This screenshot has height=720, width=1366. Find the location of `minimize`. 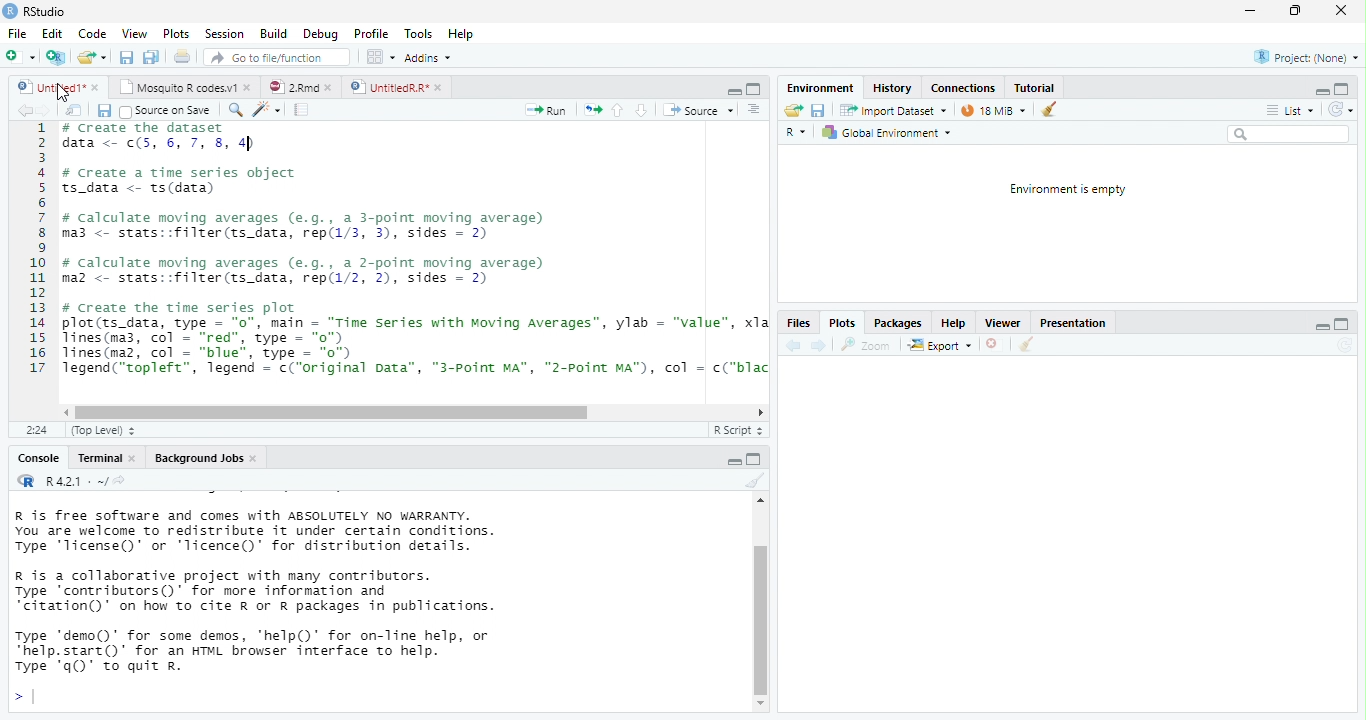

minimize is located at coordinates (1323, 329).